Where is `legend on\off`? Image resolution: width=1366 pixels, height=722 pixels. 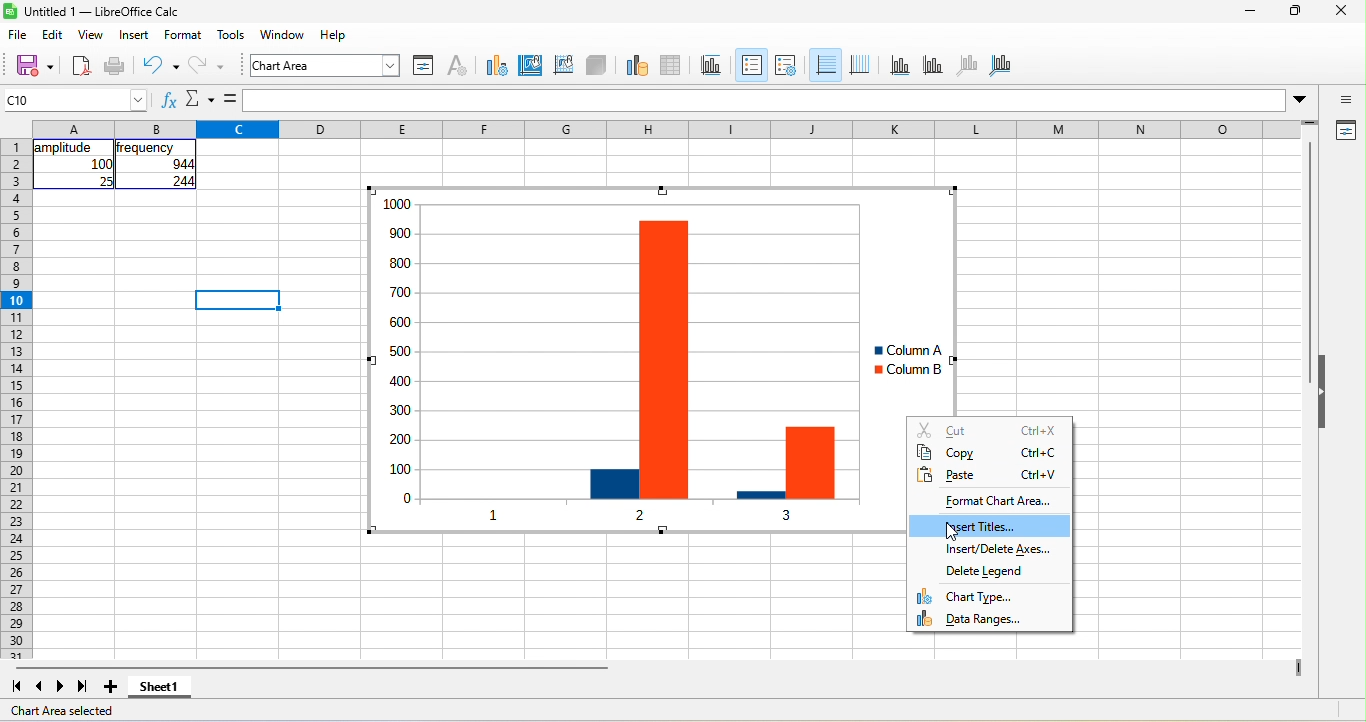 legend on\off is located at coordinates (752, 65).